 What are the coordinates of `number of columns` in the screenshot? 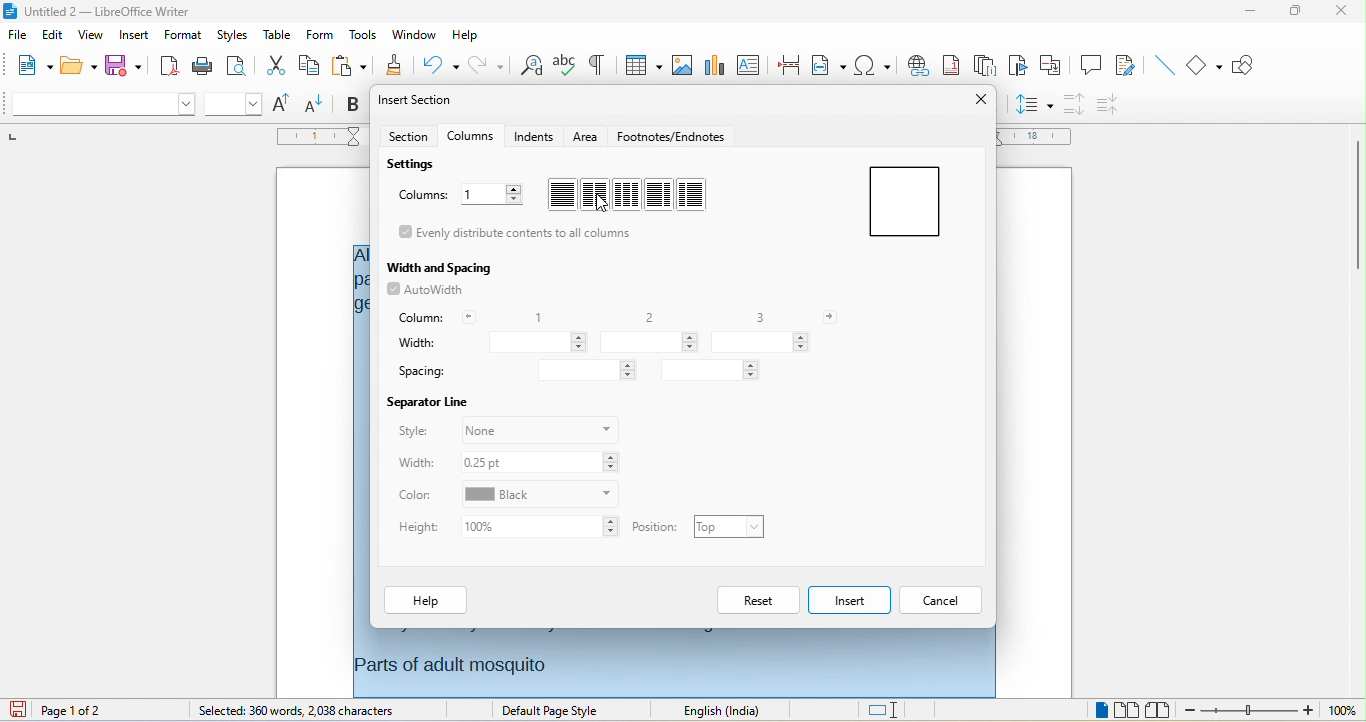 It's located at (491, 195).